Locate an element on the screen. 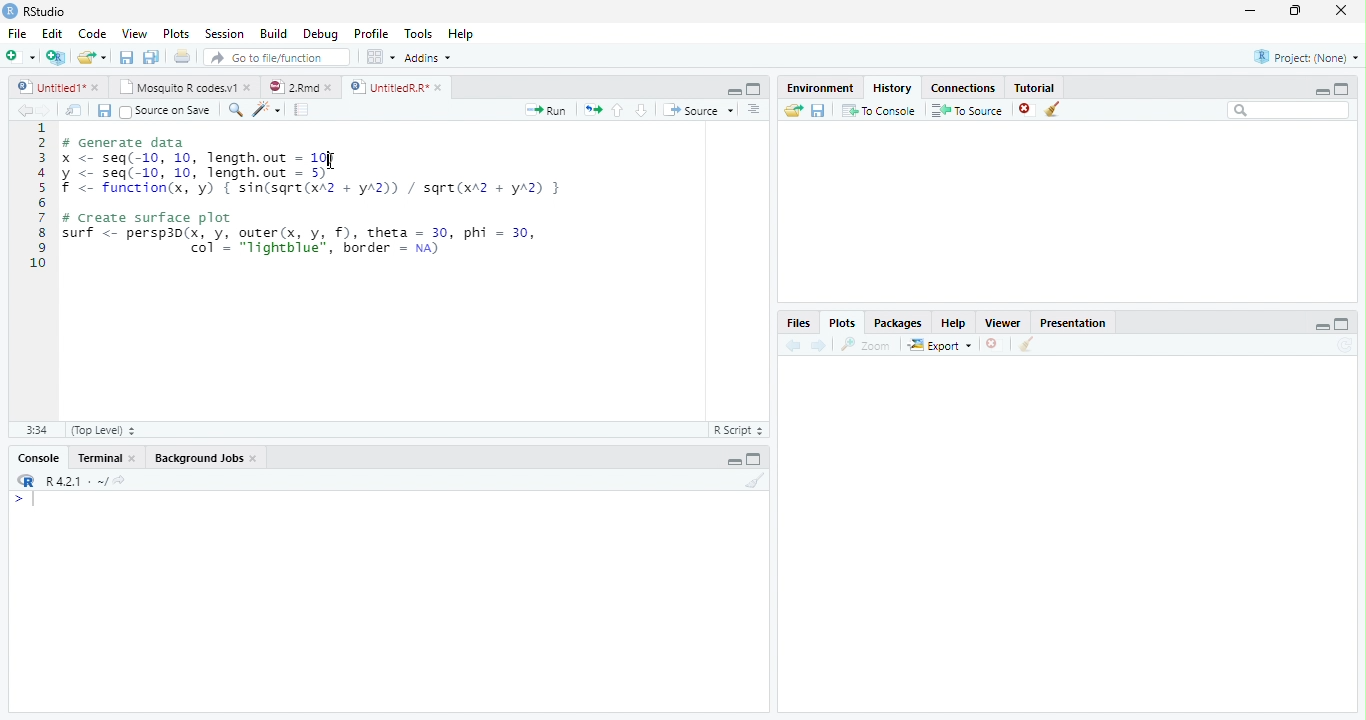  Addins is located at coordinates (428, 58).